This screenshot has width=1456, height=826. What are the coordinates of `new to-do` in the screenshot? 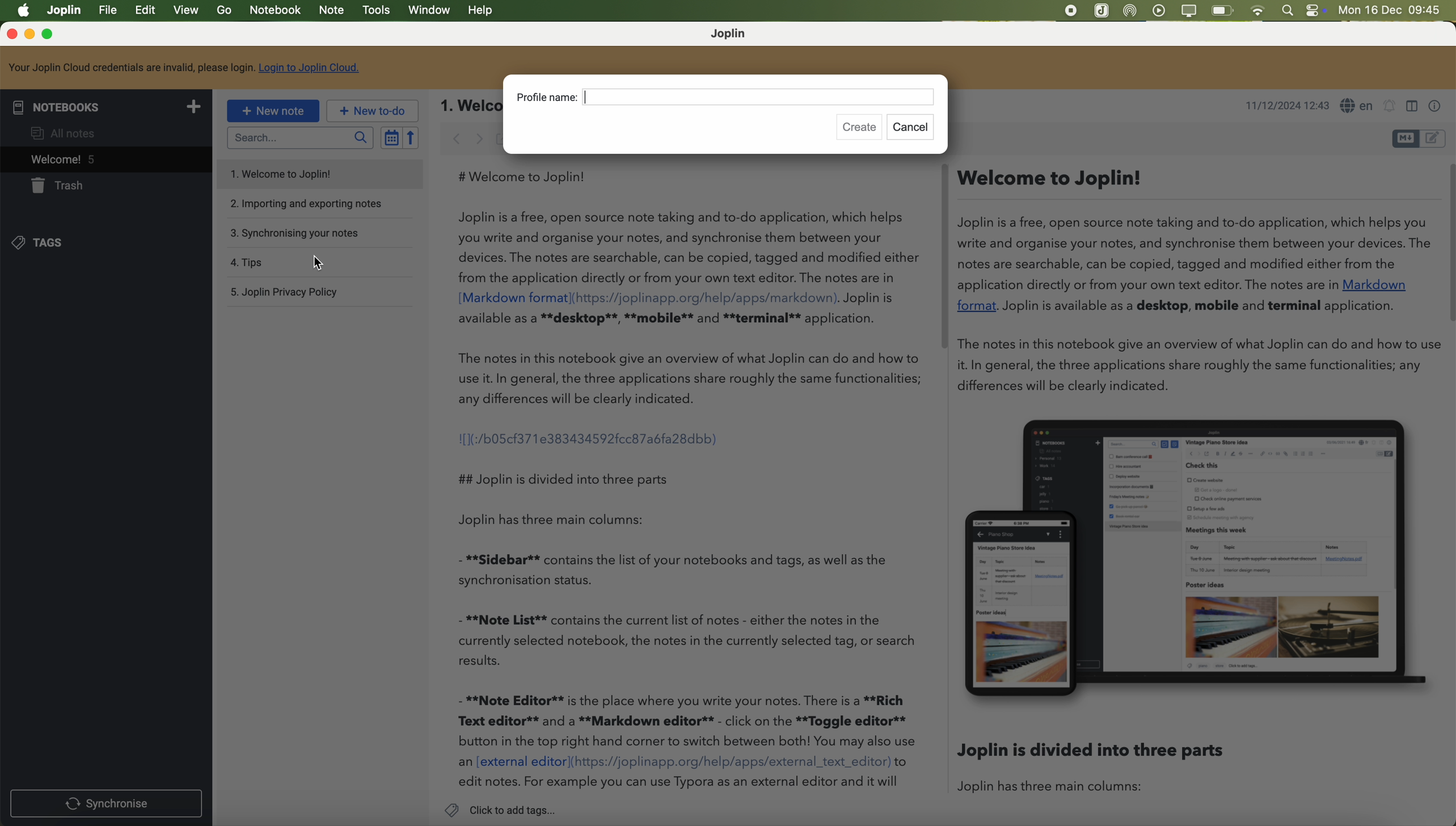 It's located at (371, 111).